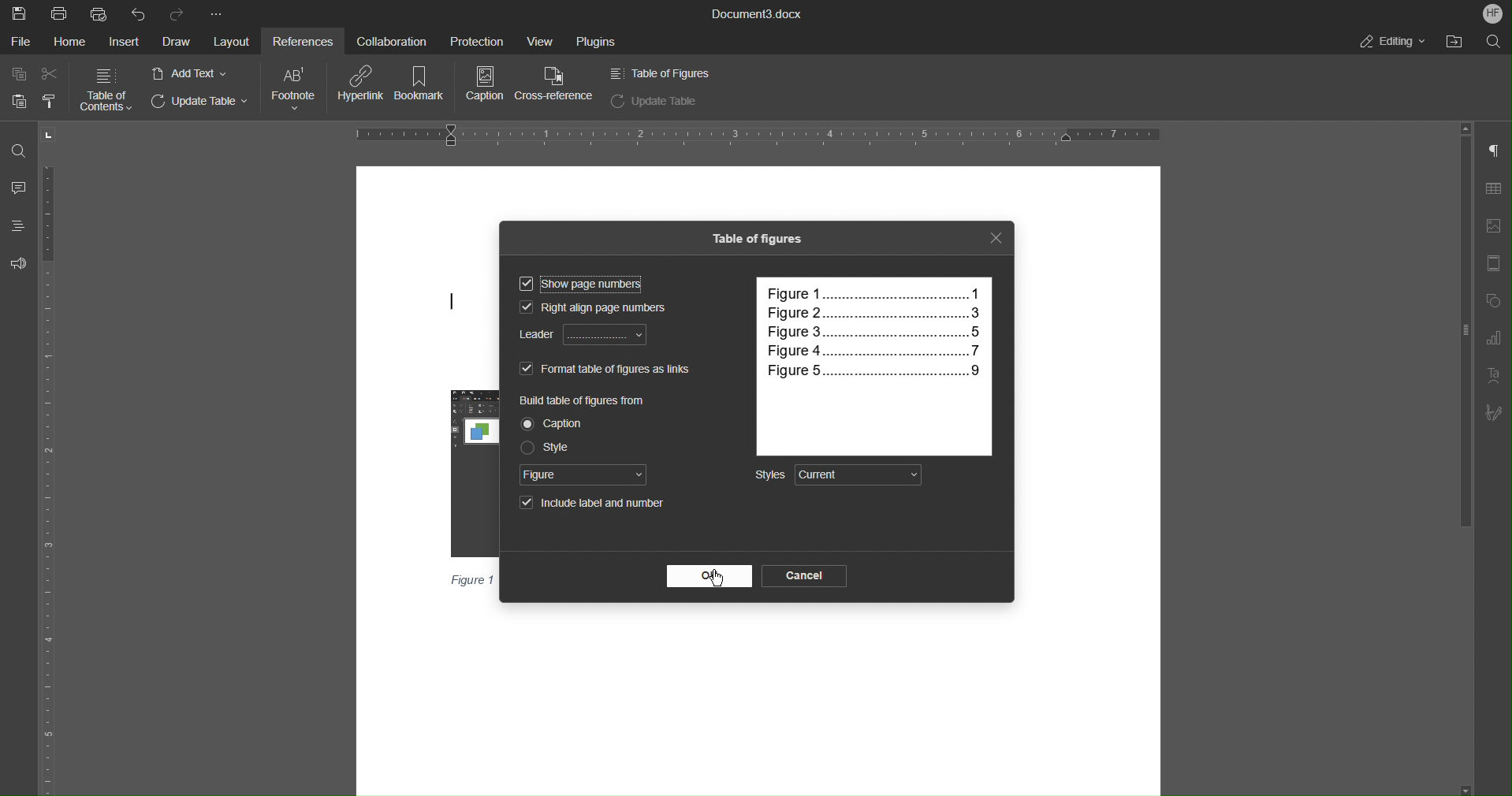 The height and width of the screenshot is (796, 1512). Describe the element at coordinates (106, 89) in the screenshot. I see `Table of Contents` at that location.